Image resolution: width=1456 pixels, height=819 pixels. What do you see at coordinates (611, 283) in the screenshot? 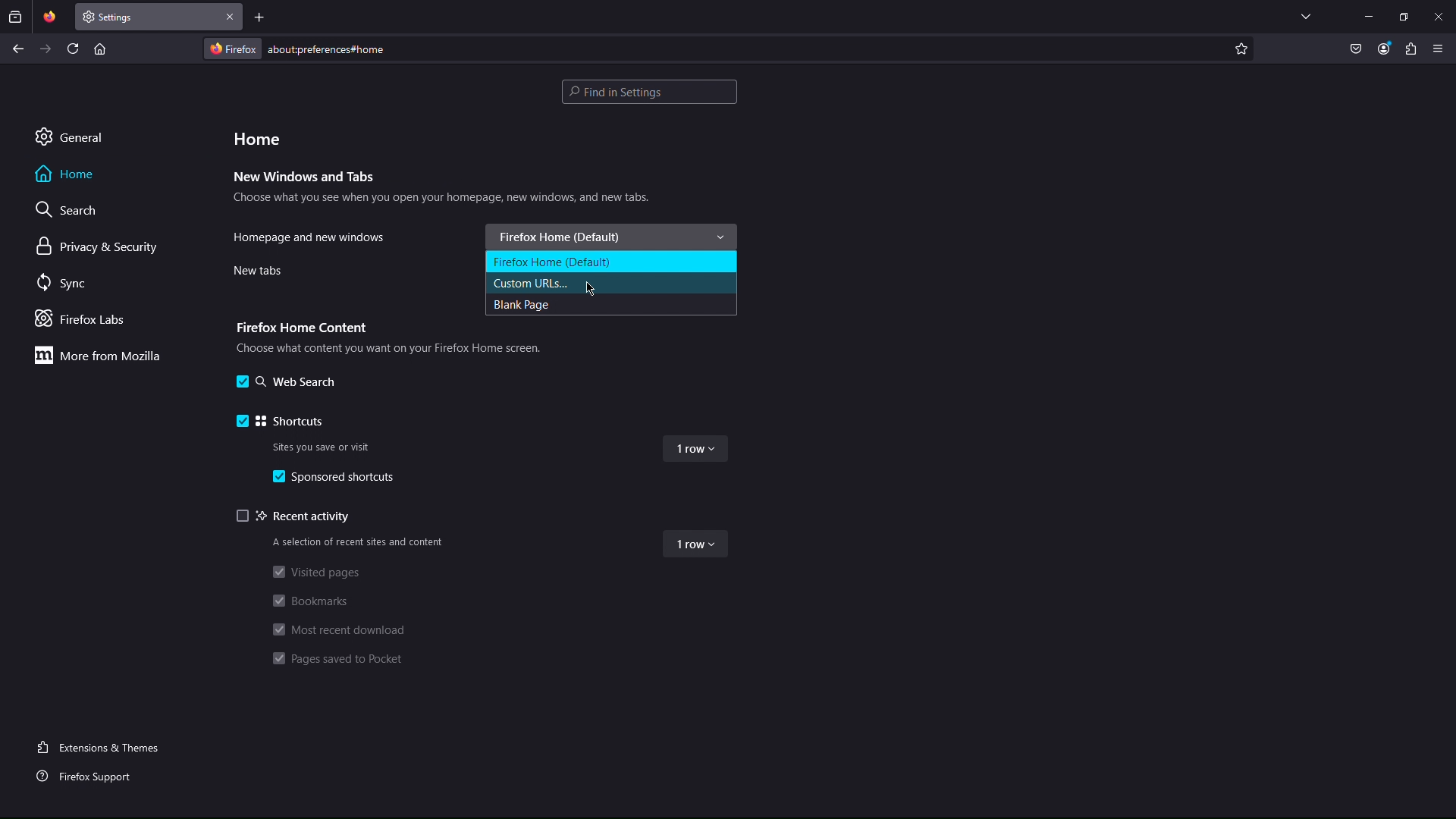
I see `Custom URLs` at bounding box center [611, 283].